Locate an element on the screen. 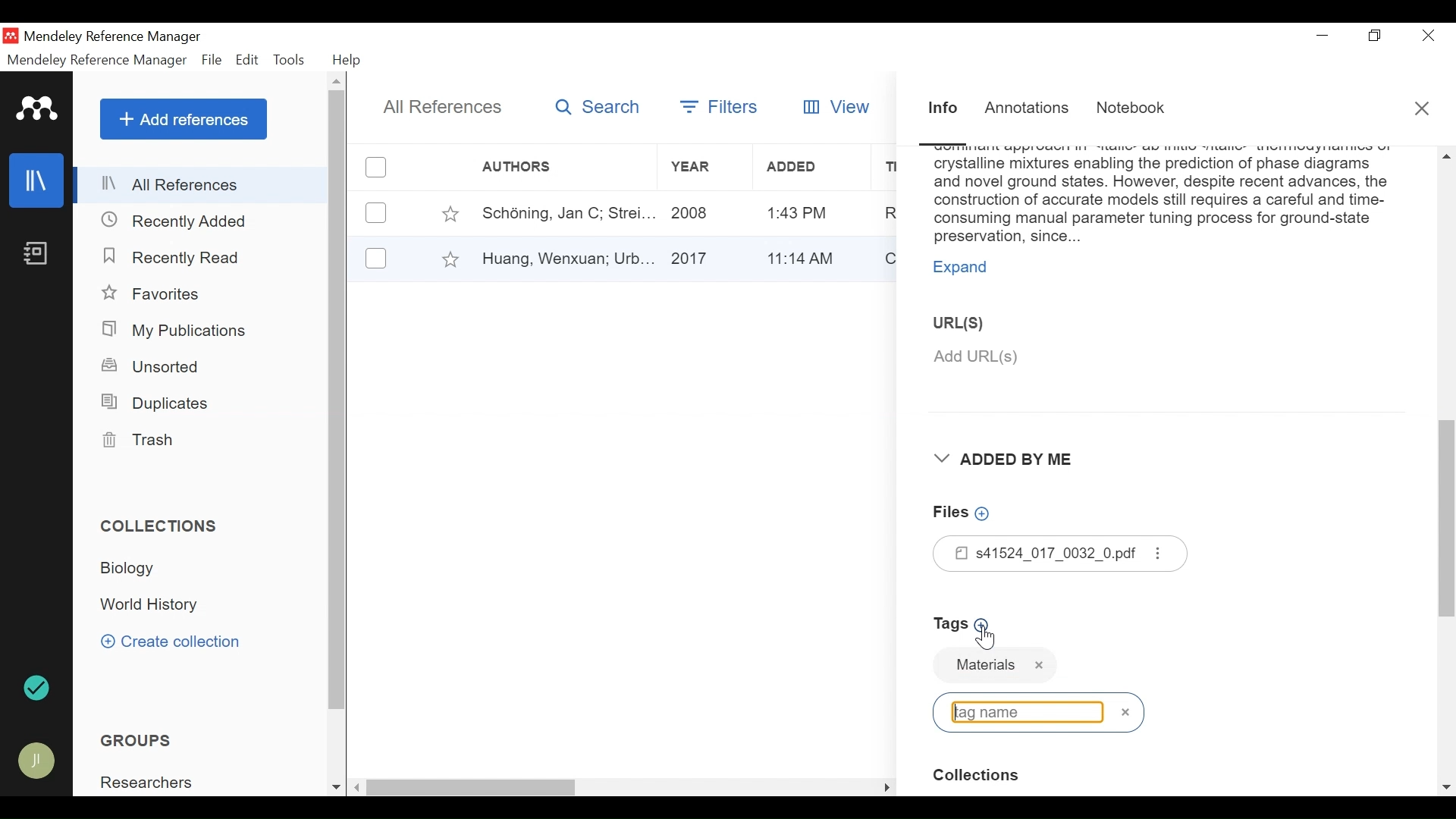  Collection is located at coordinates (982, 777).